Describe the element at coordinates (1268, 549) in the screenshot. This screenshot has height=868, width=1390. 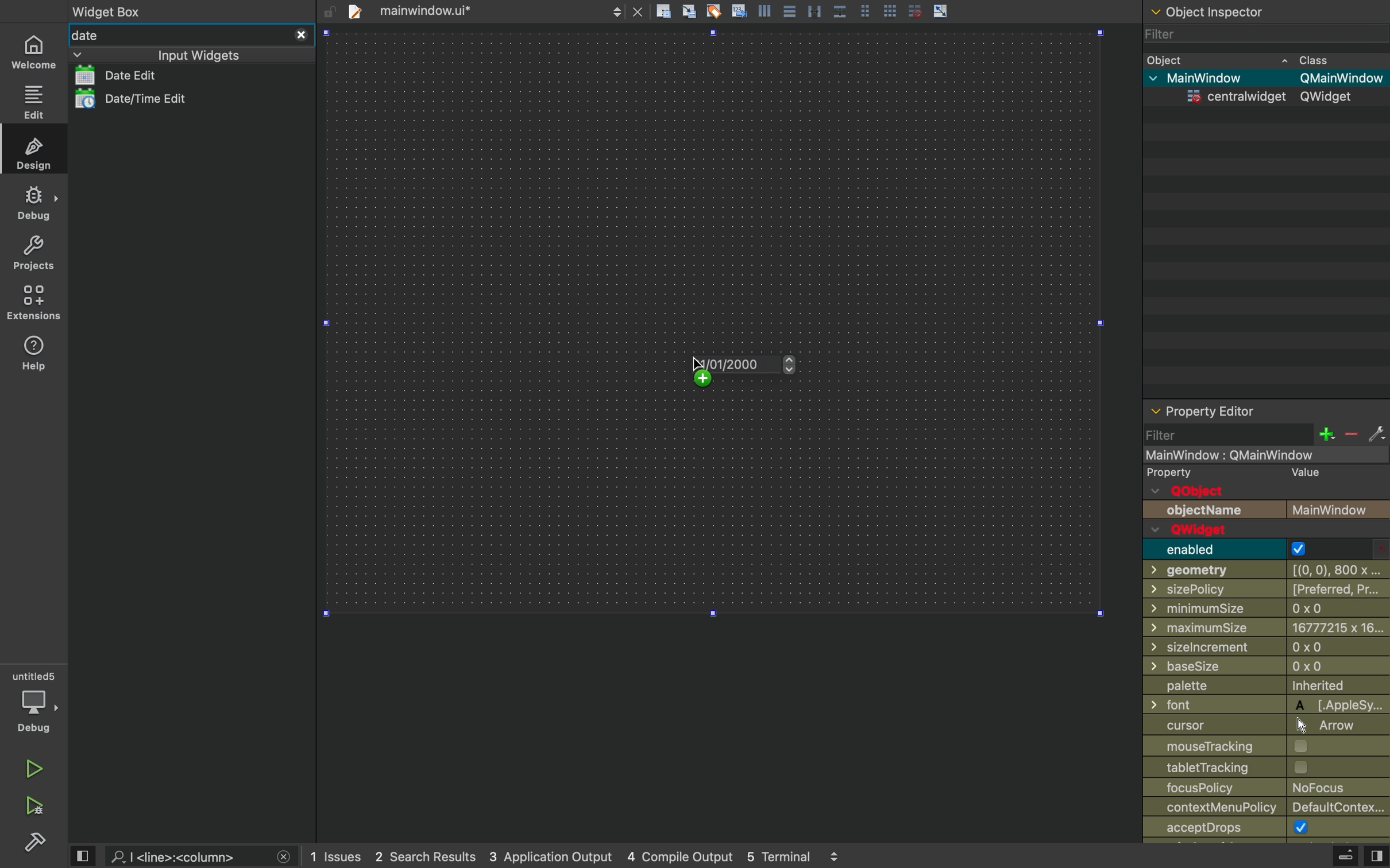
I see `enabled` at that location.